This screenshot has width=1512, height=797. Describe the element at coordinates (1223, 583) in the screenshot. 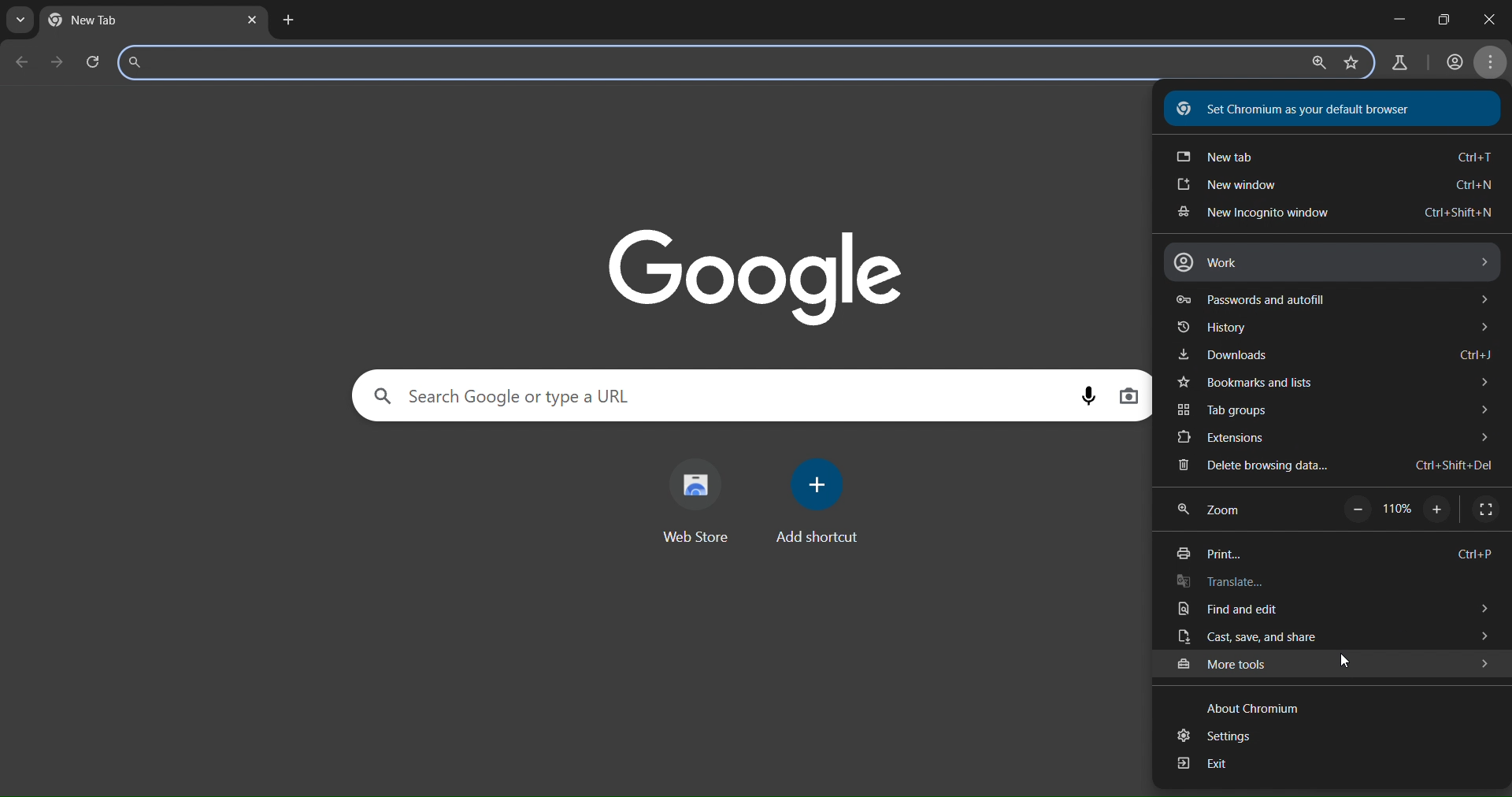

I see `translate` at that location.